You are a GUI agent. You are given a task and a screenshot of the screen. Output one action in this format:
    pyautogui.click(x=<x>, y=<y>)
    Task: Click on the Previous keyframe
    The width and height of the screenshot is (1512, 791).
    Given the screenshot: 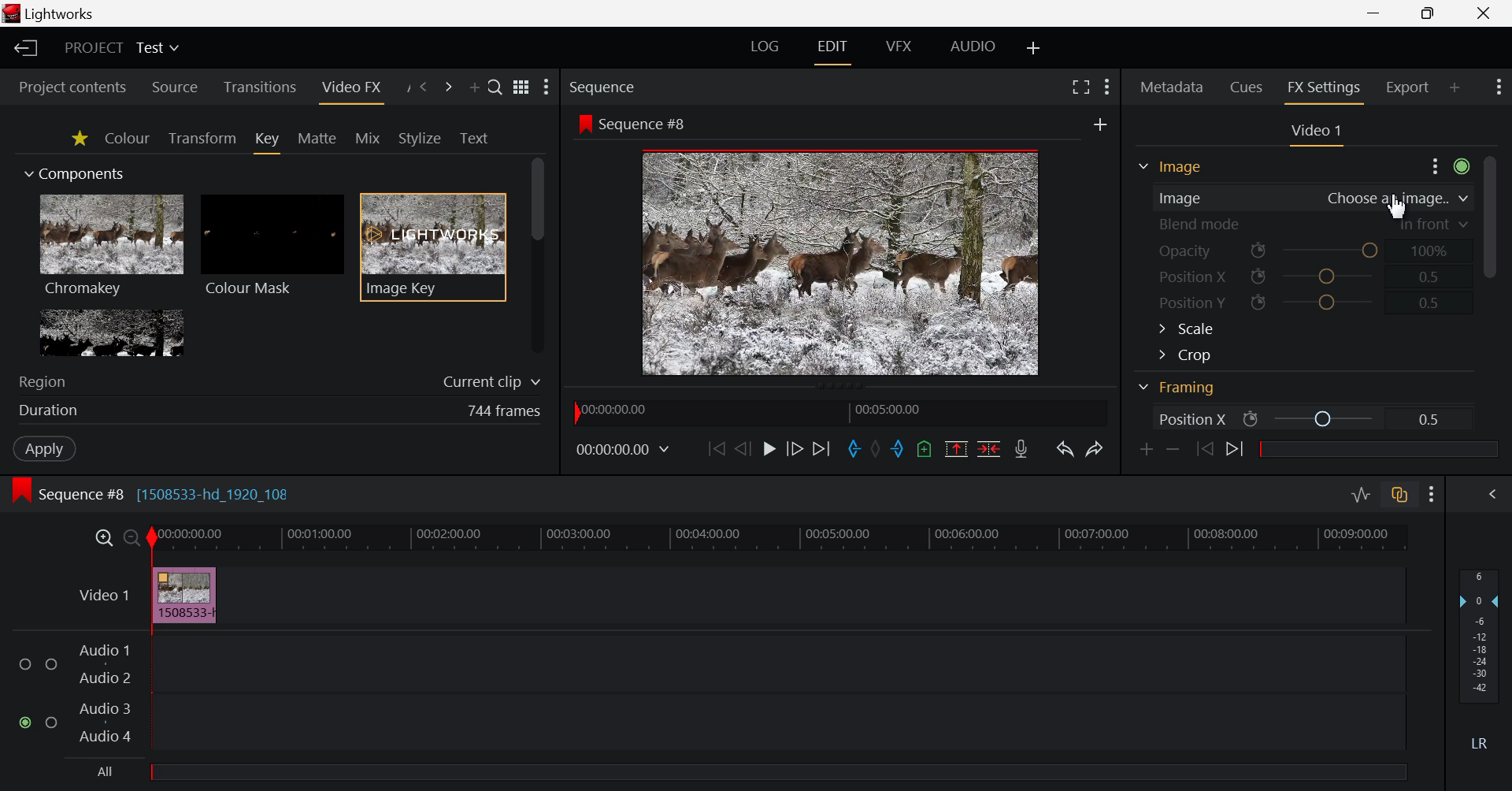 What is the action you would take?
    pyautogui.click(x=1205, y=452)
    